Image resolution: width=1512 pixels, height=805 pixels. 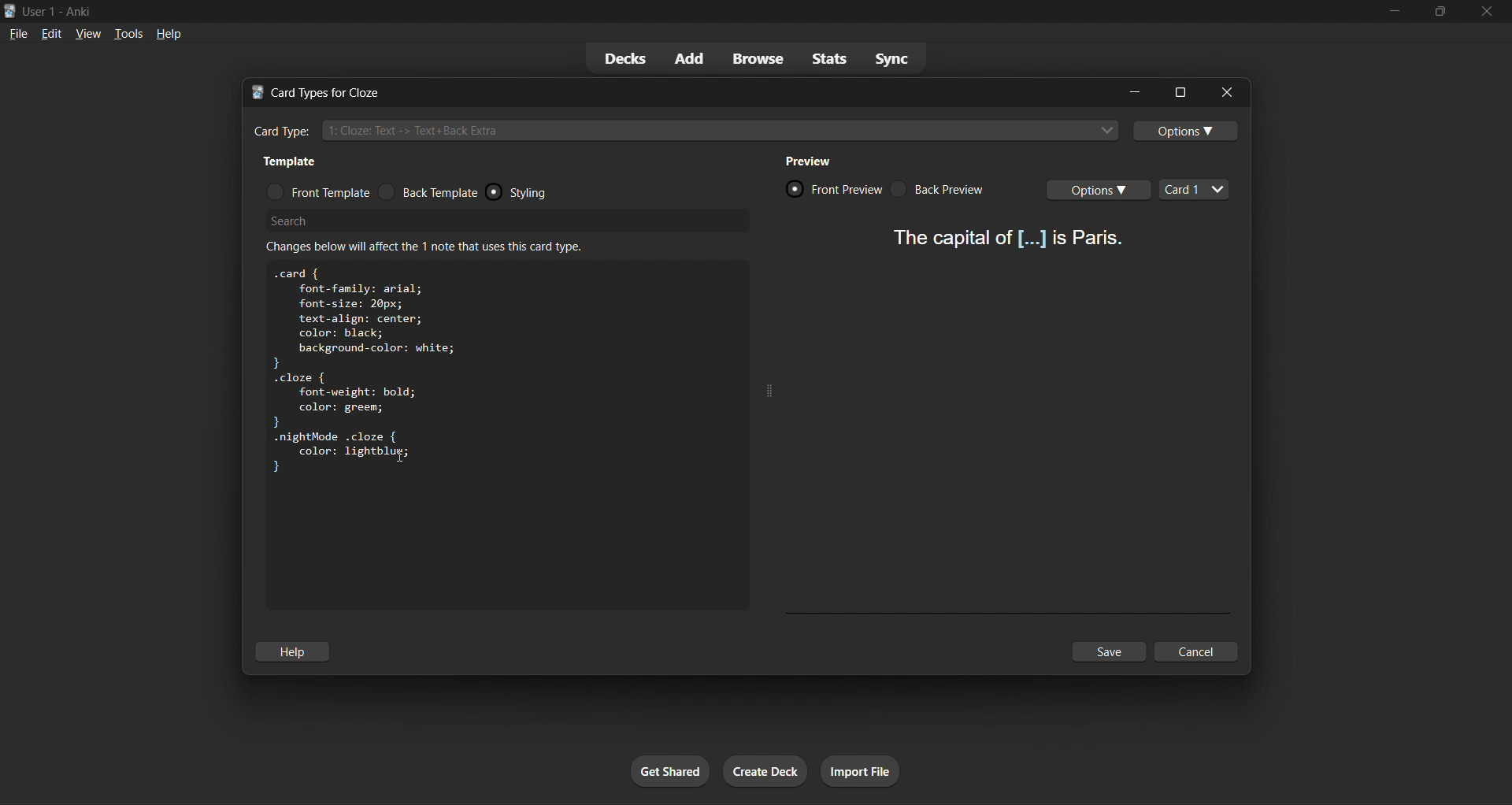 What do you see at coordinates (1102, 193) in the screenshot?
I see `card options` at bounding box center [1102, 193].